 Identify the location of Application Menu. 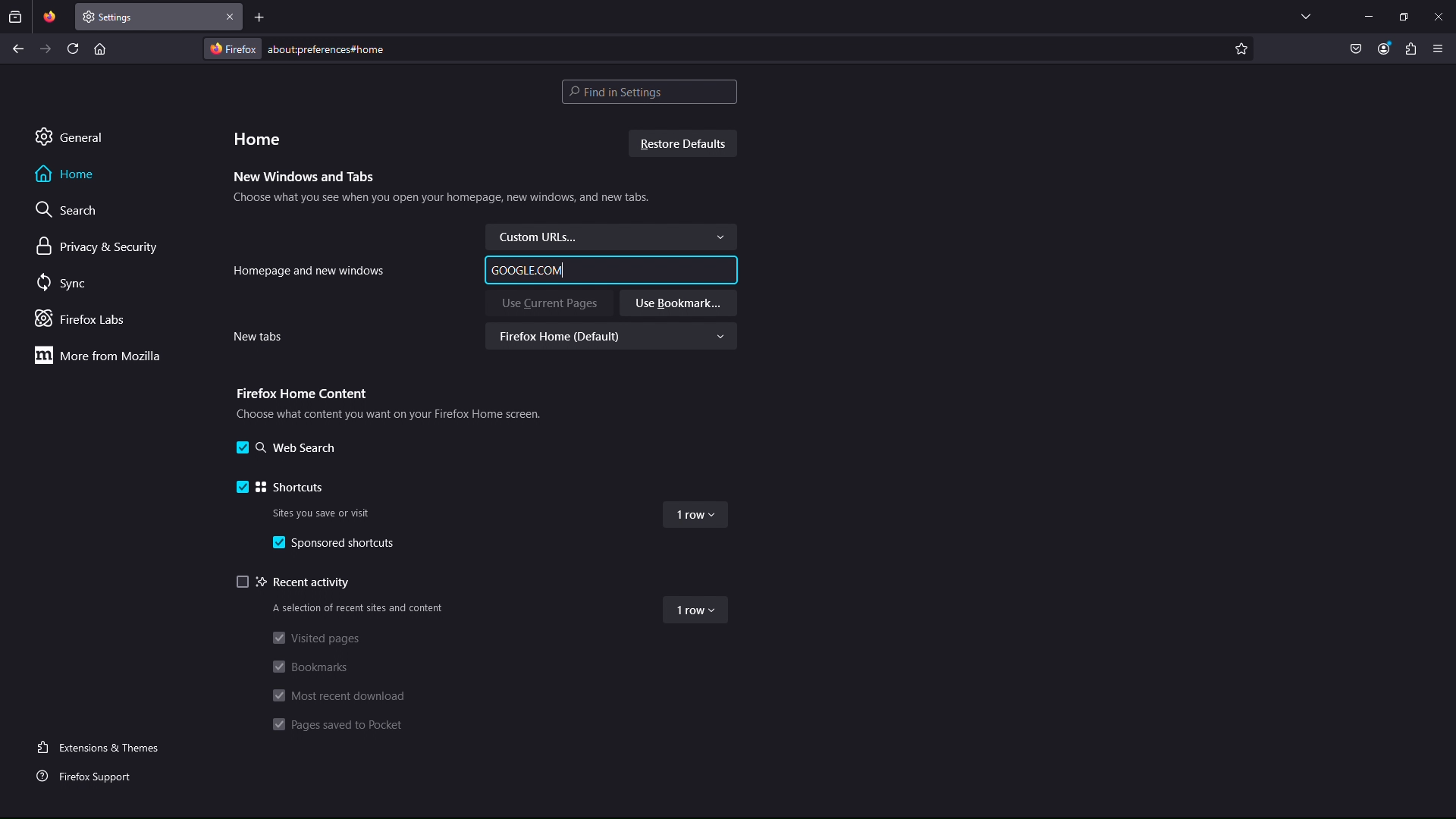
(1439, 50).